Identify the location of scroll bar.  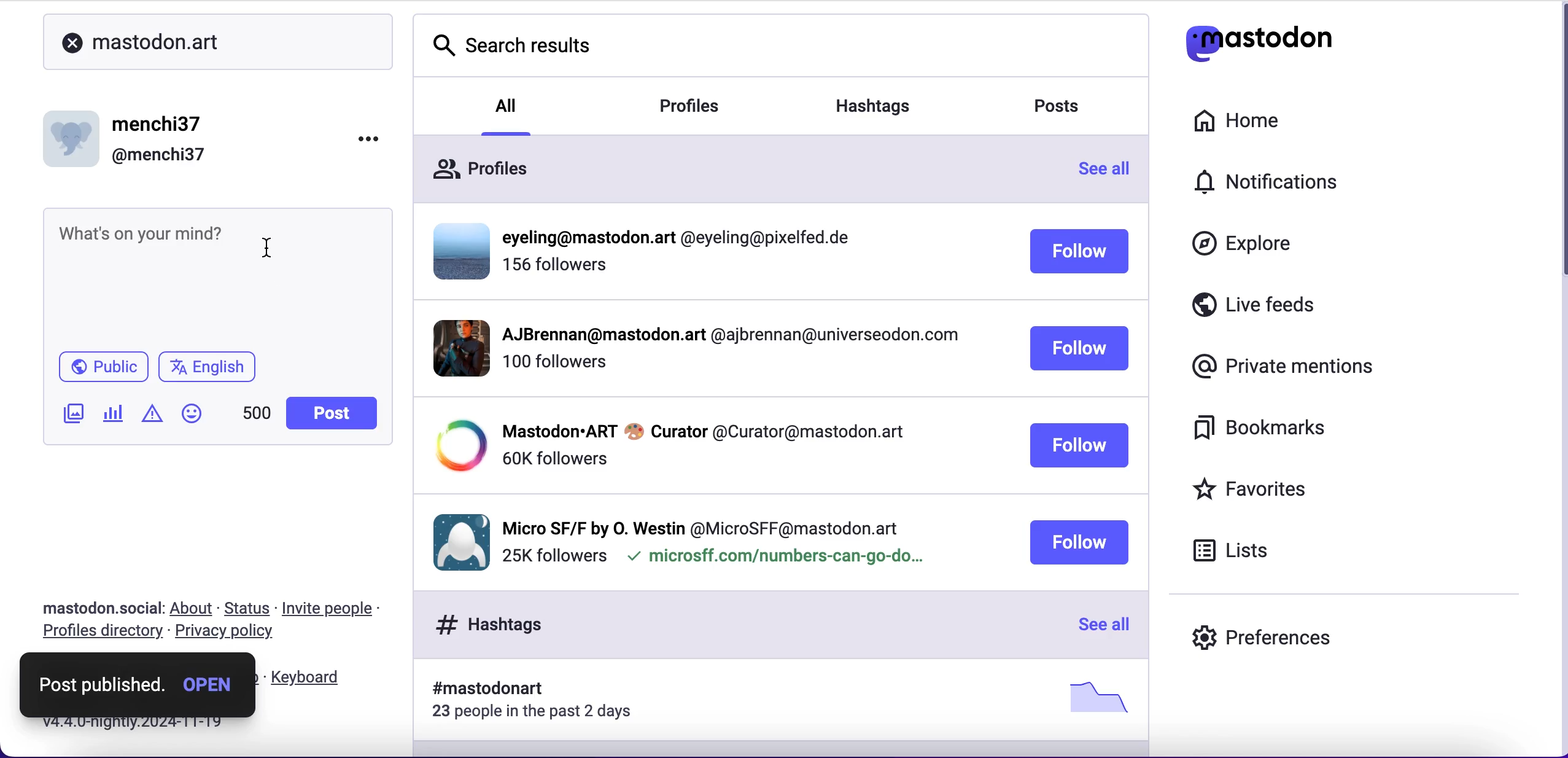
(1557, 147).